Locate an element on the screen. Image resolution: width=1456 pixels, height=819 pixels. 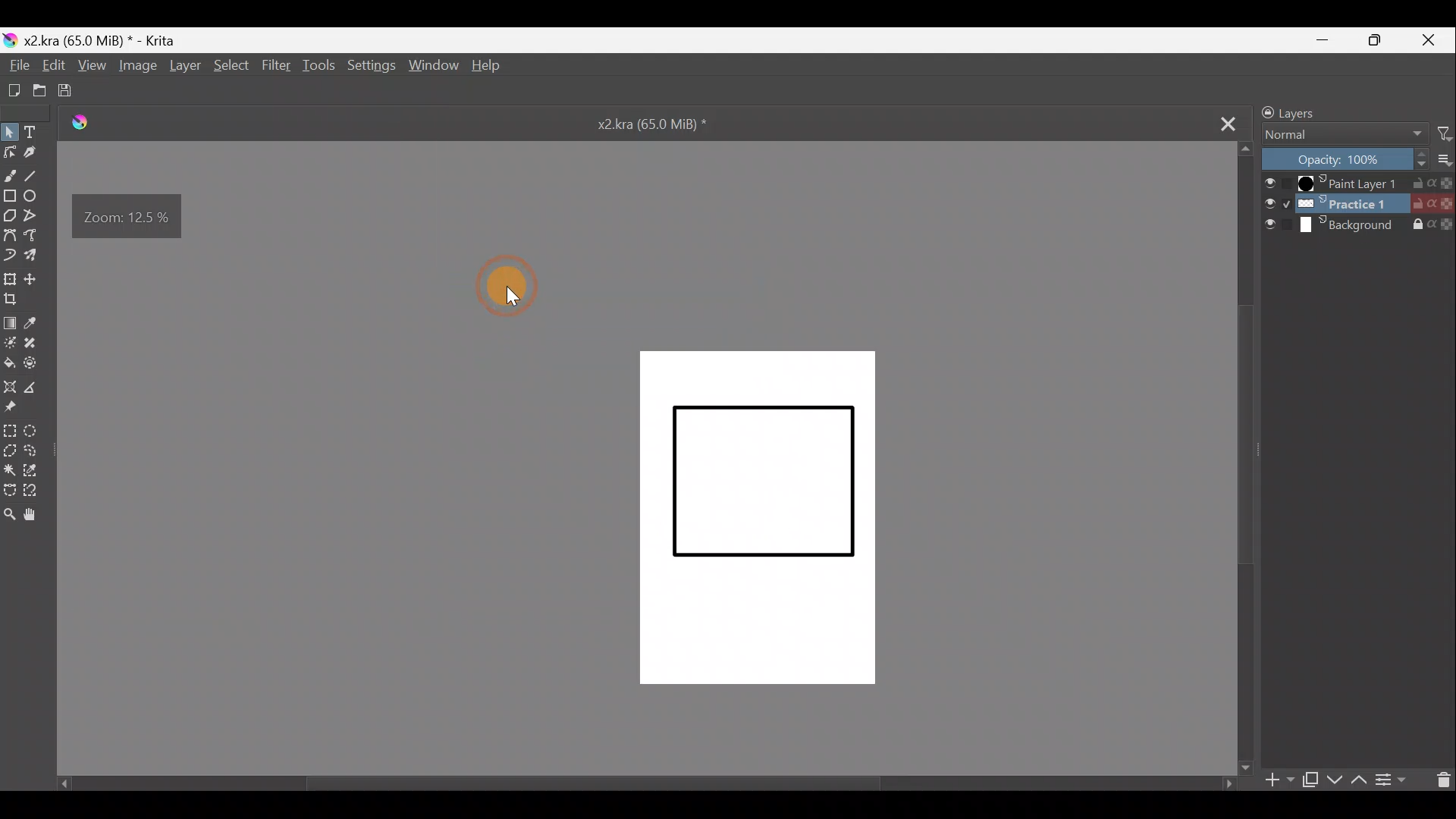
Edit is located at coordinates (57, 65).